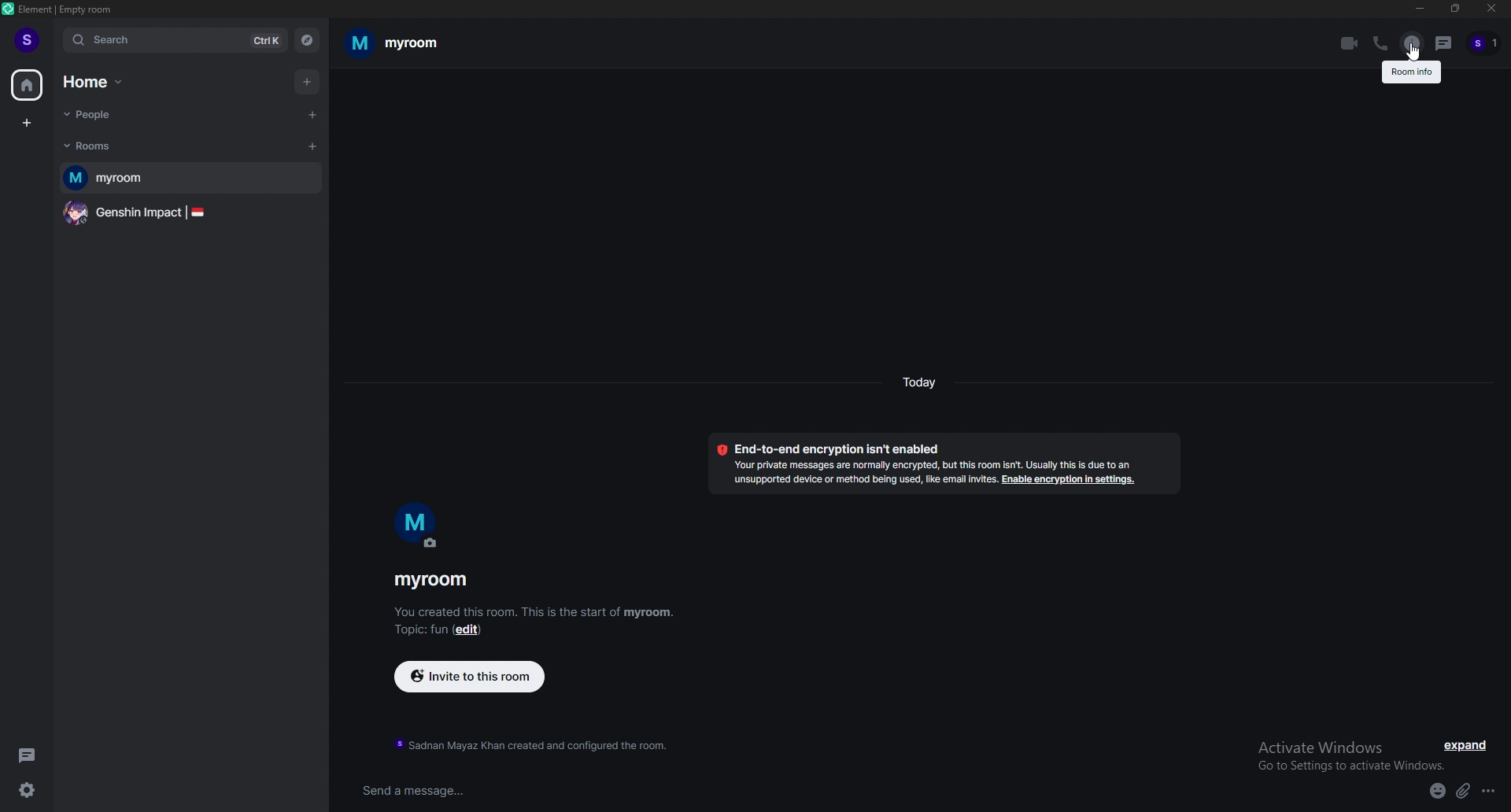 This screenshot has height=812, width=1511. Describe the element at coordinates (188, 215) in the screenshot. I see `genshin impact |` at that location.